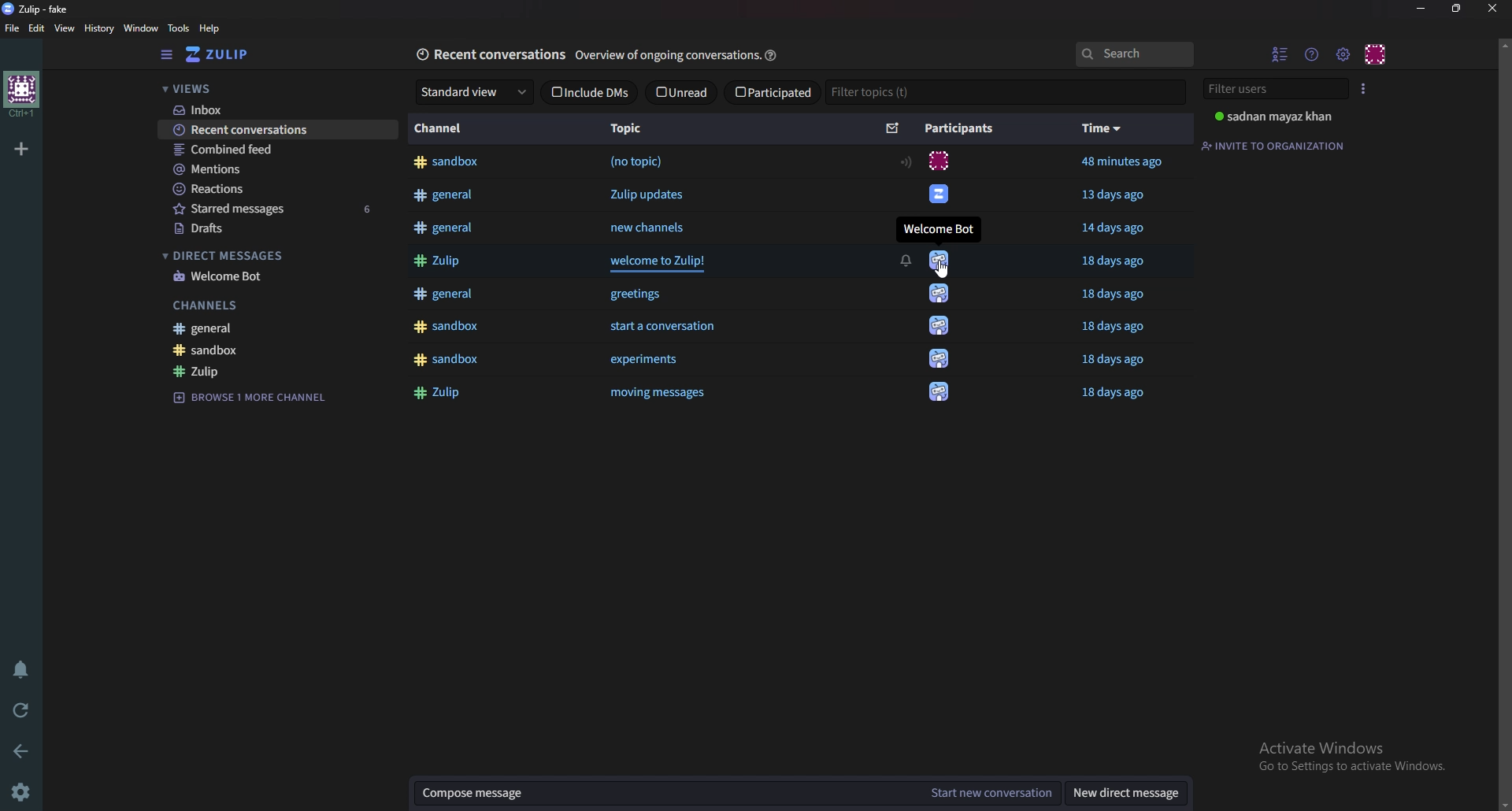 The width and height of the screenshot is (1512, 811). I want to click on (no topic), so click(639, 163).